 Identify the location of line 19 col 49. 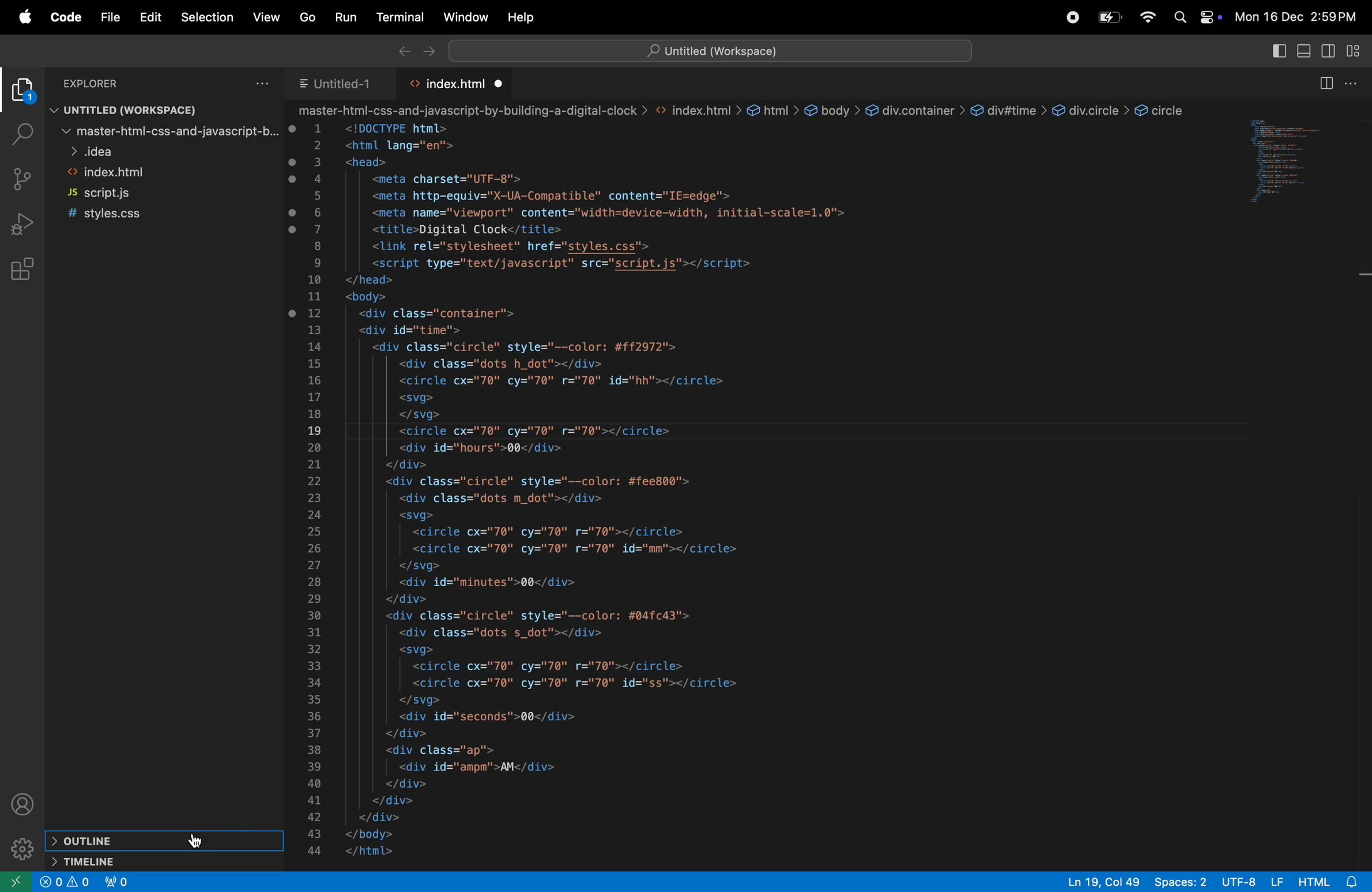
(1106, 882).